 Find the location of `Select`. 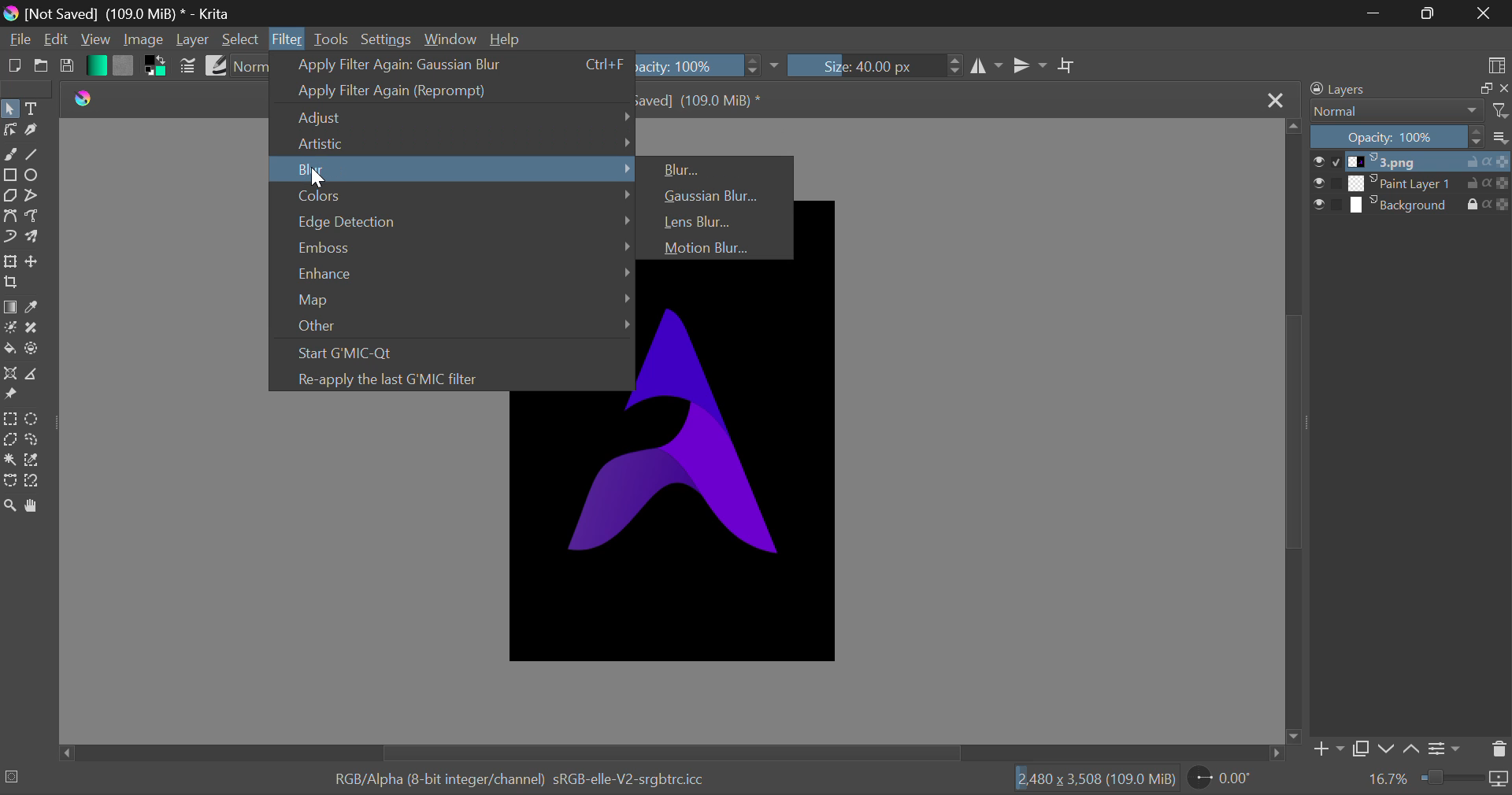

Select is located at coordinates (10, 108).